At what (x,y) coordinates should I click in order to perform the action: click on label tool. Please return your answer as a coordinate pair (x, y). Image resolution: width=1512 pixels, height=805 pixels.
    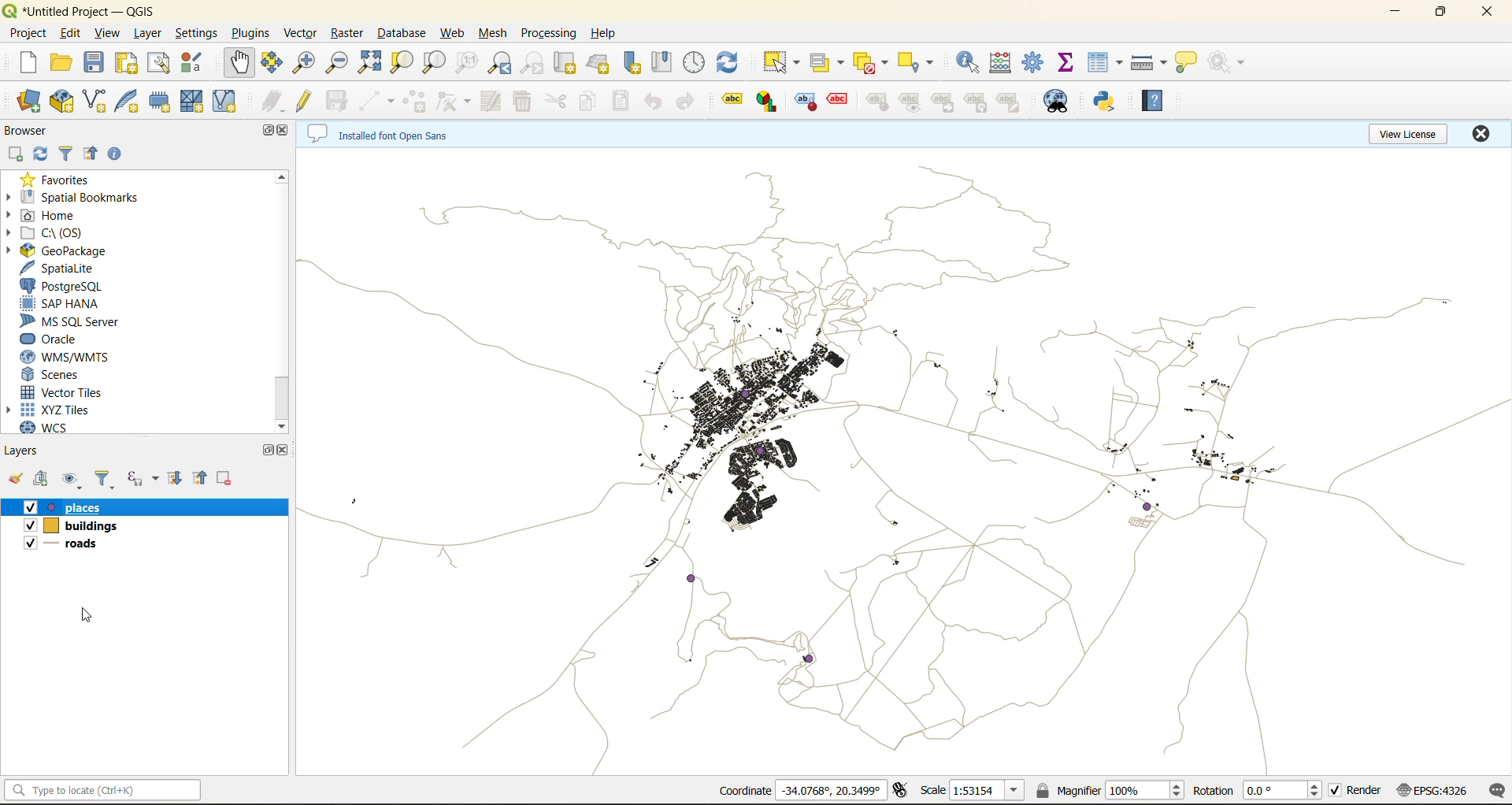
    Looking at the image, I should click on (838, 99).